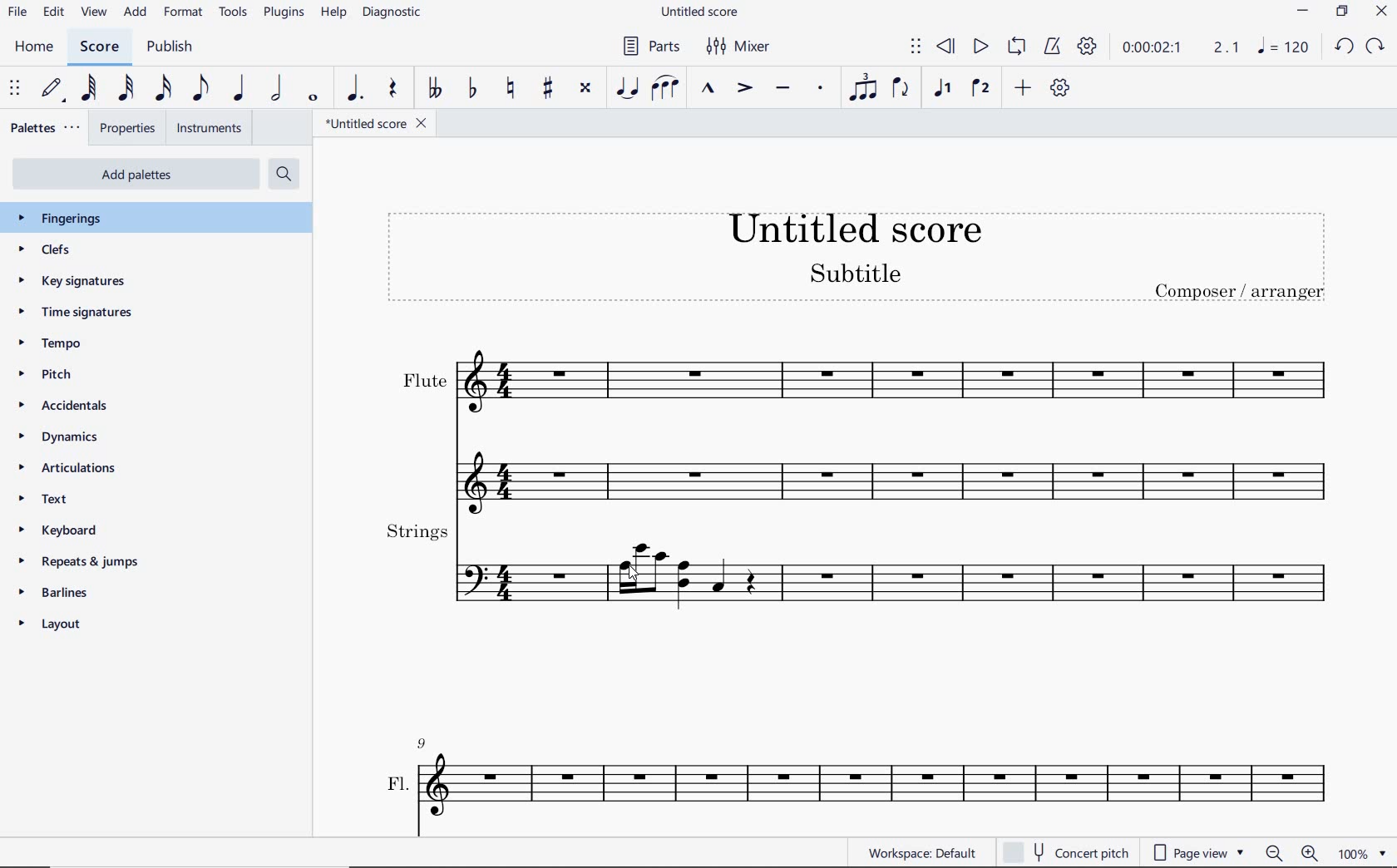  I want to click on parts, so click(648, 46).